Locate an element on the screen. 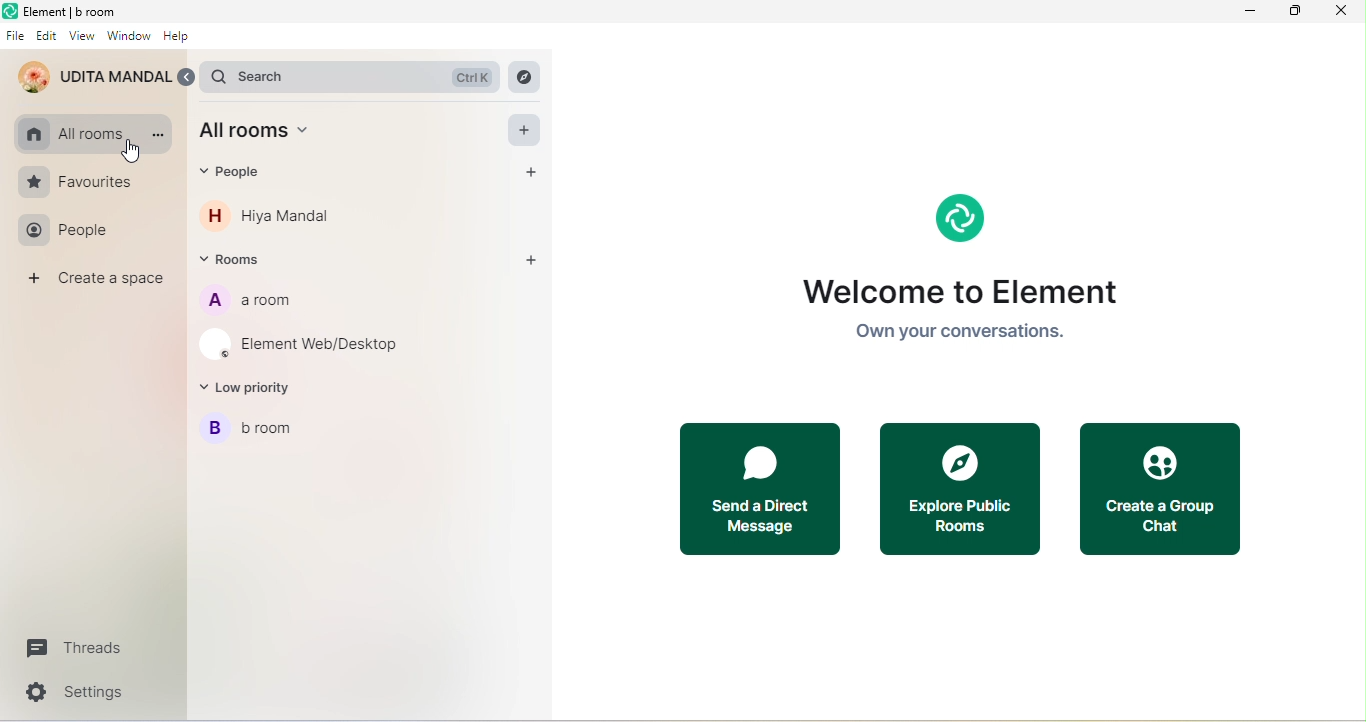  cursor is located at coordinates (131, 150).